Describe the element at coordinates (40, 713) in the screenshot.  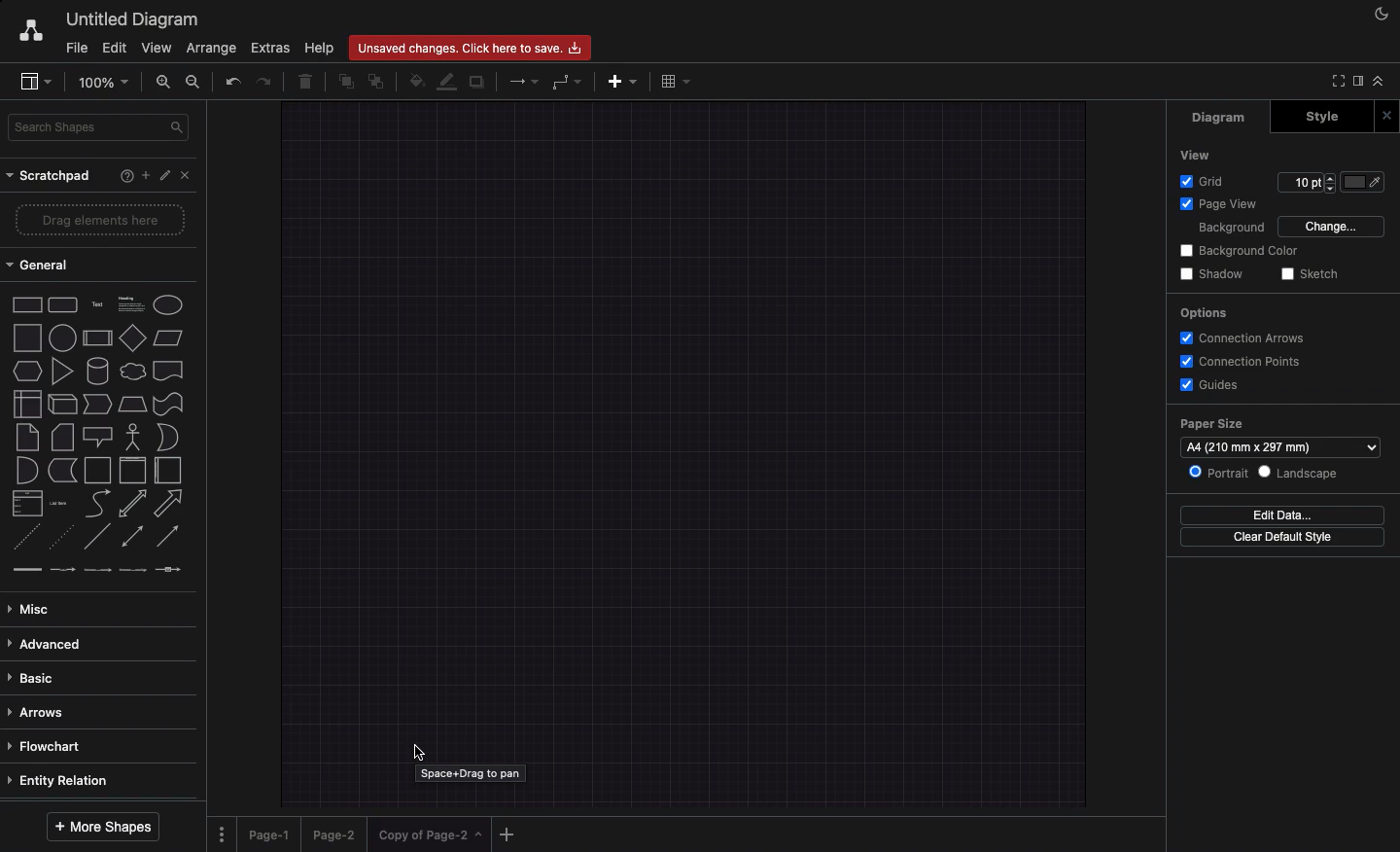
I see `Arrows` at that location.